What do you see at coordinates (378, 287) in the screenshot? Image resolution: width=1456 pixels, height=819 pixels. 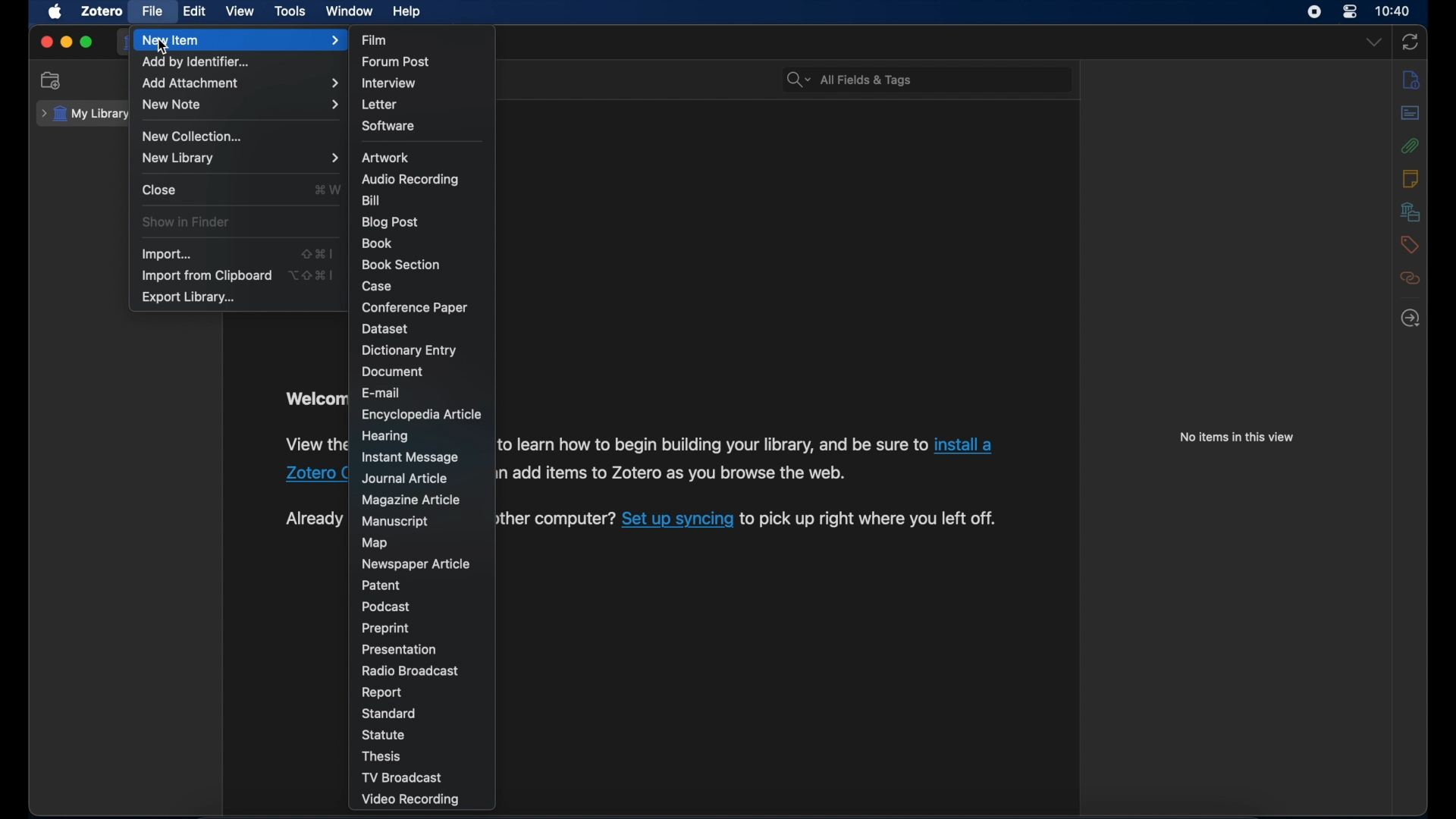 I see `case` at bounding box center [378, 287].